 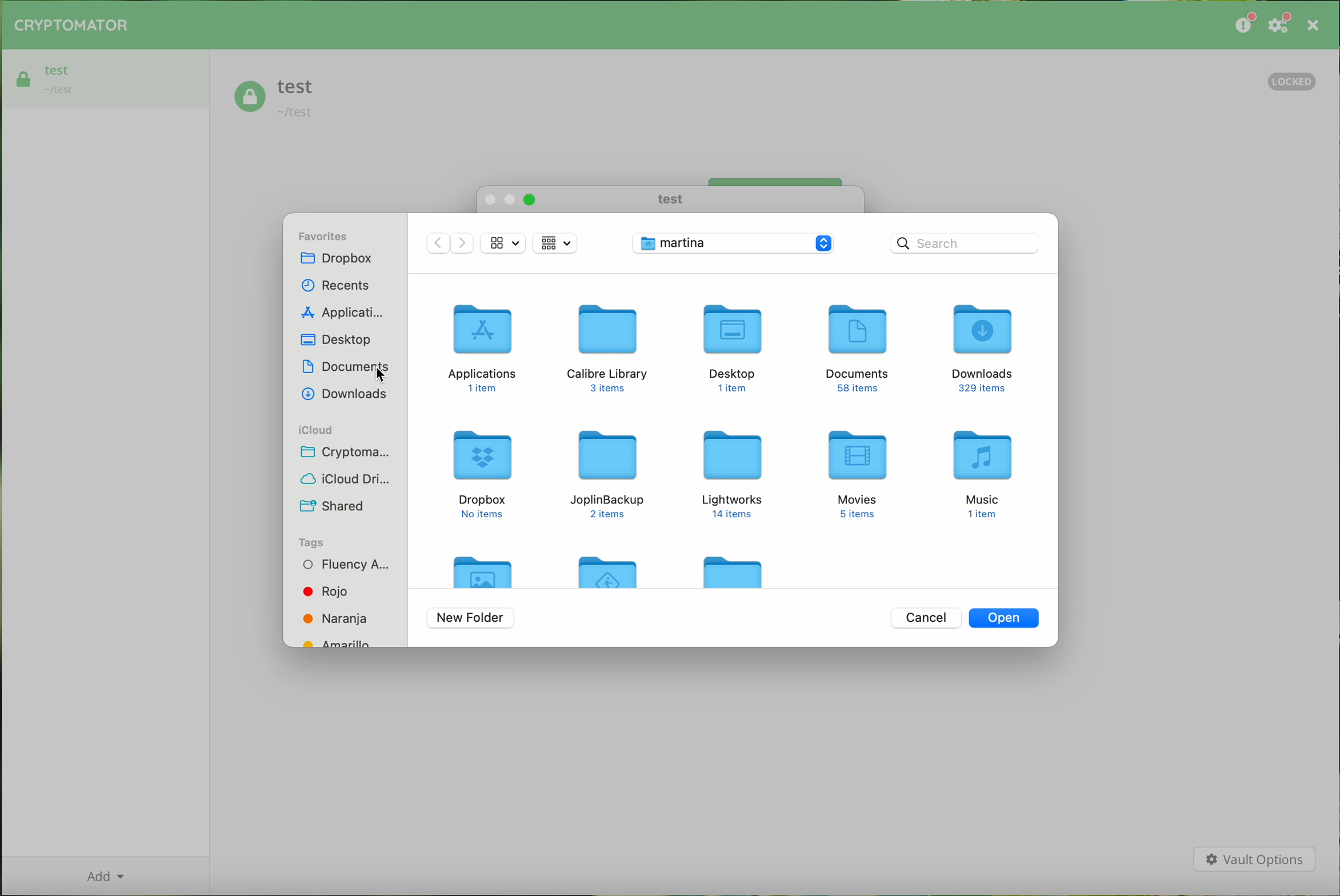 I want to click on martina folder location, so click(x=735, y=244).